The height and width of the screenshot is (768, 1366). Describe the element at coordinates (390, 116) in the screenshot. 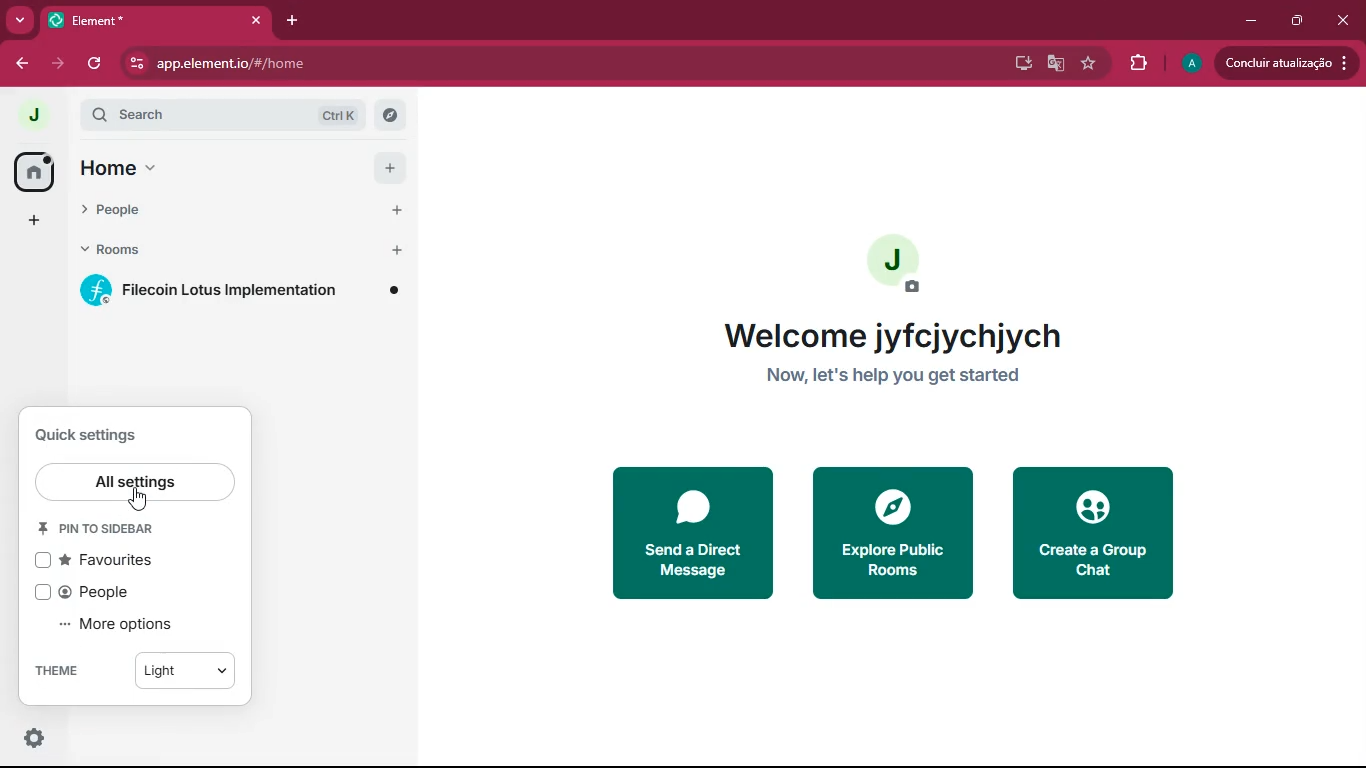

I see `explore rooms` at that location.